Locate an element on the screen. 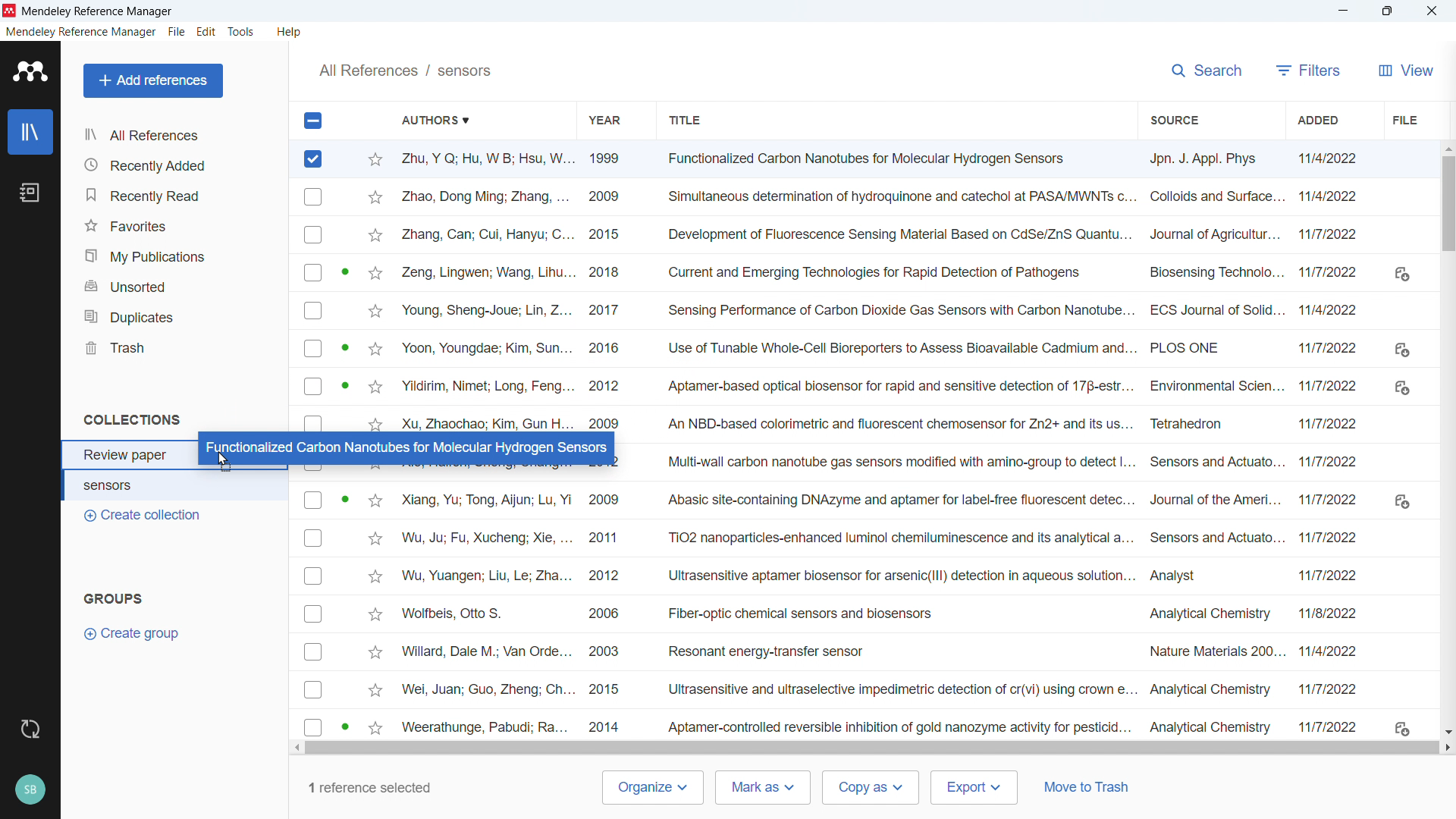  Pdf available to download  is located at coordinates (1401, 499).